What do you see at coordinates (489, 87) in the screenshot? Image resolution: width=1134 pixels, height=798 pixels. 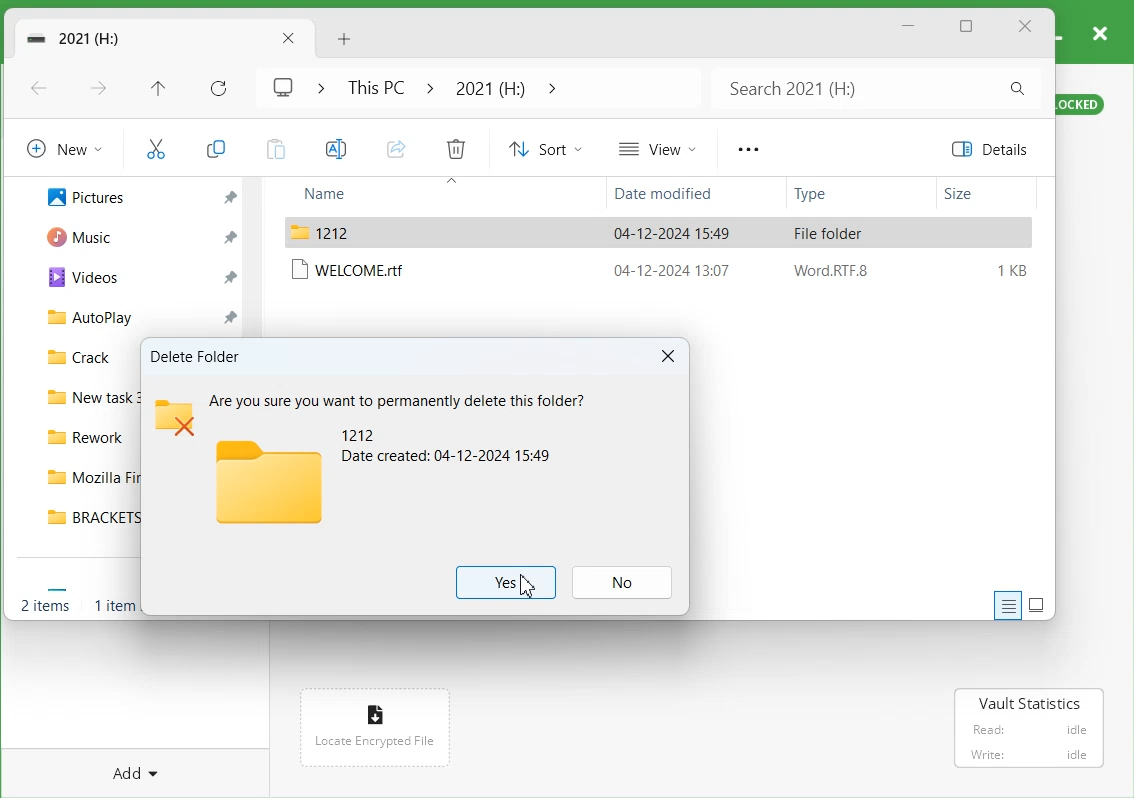 I see `2021 (H:)` at bounding box center [489, 87].